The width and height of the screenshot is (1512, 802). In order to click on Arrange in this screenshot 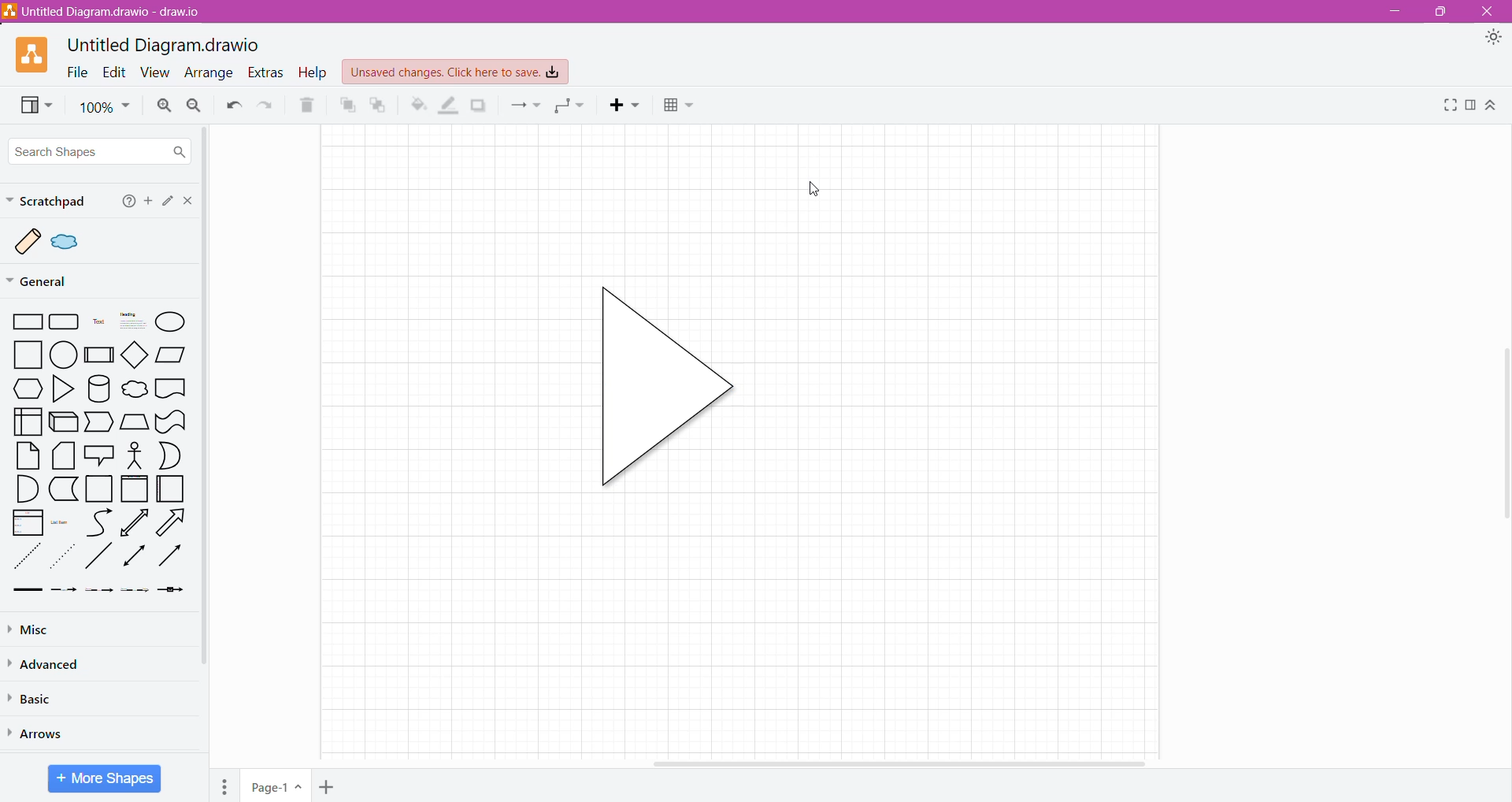, I will do `click(211, 73)`.